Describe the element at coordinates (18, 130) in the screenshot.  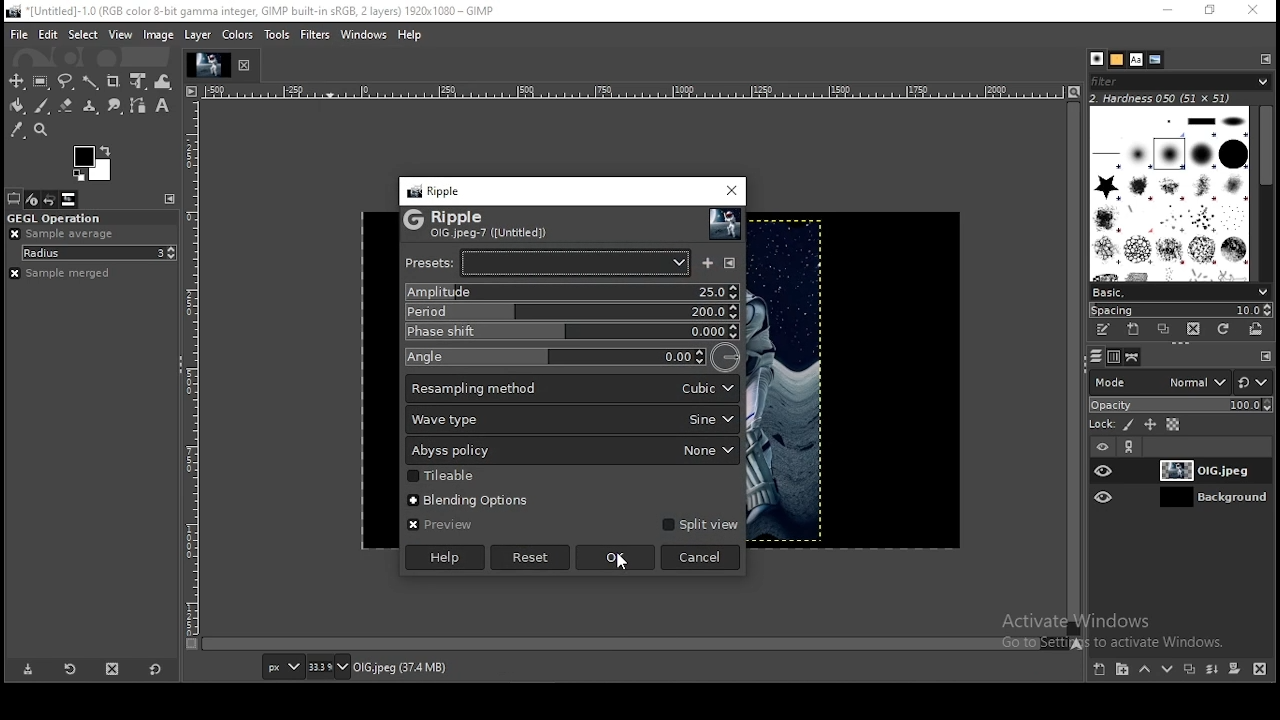
I see `color picker tool` at that location.